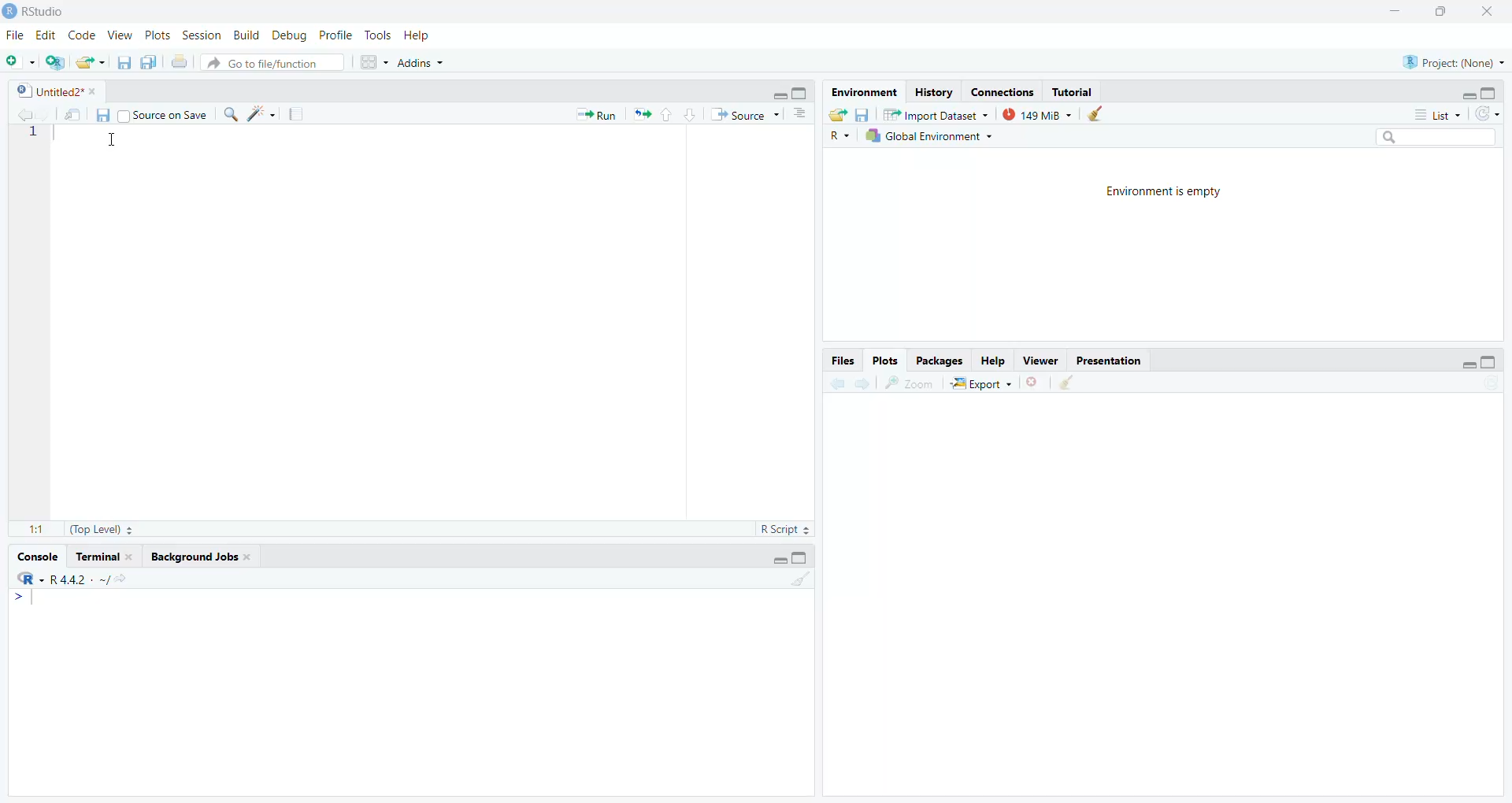 The image size is (1512, 803). Describe the element at coordinates (994, 358) in the screenshot. I see `Help` at that location.